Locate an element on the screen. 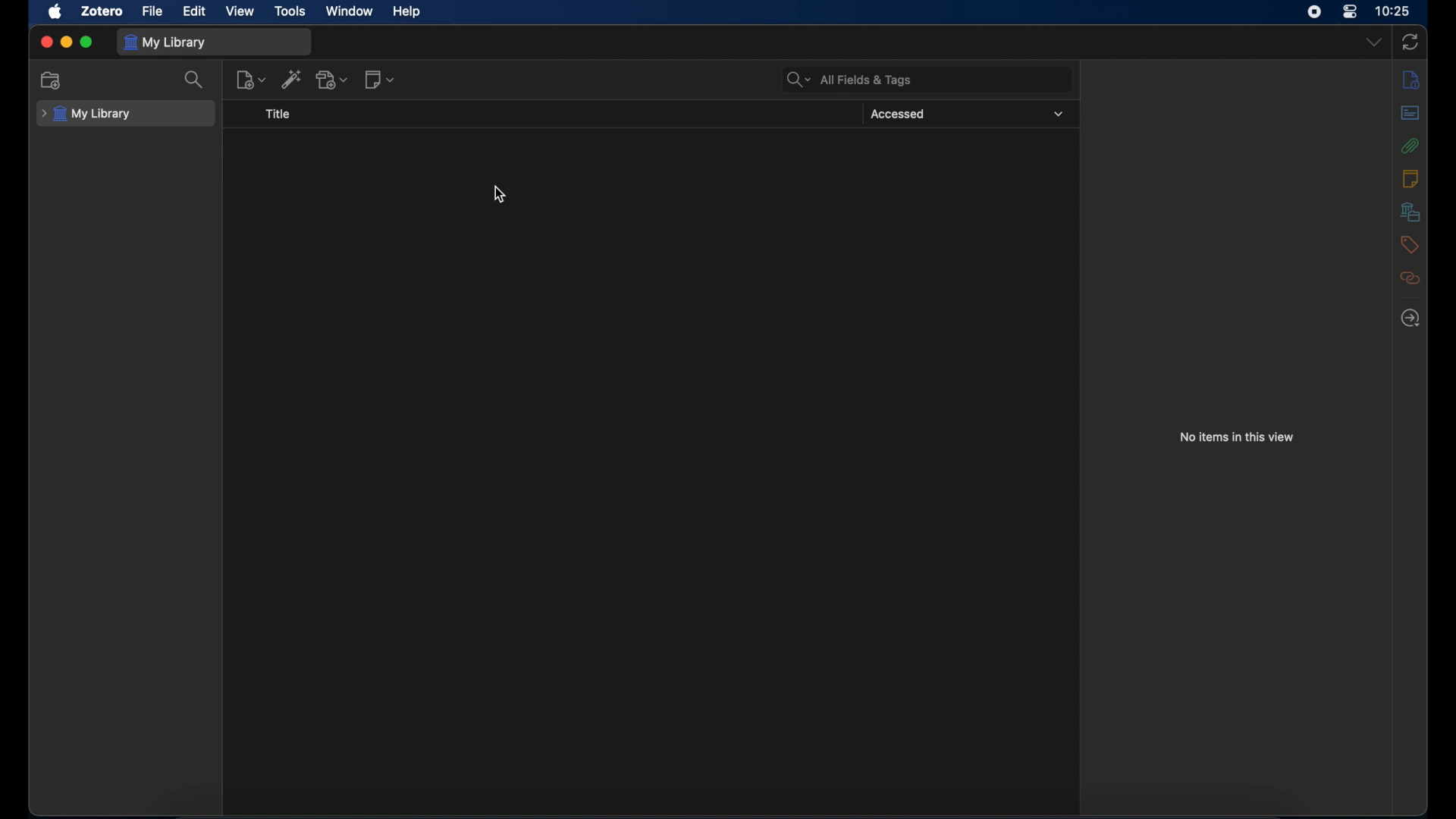 This screenshot has width=1456, height=819. new item is located at coordinates (250, 79).